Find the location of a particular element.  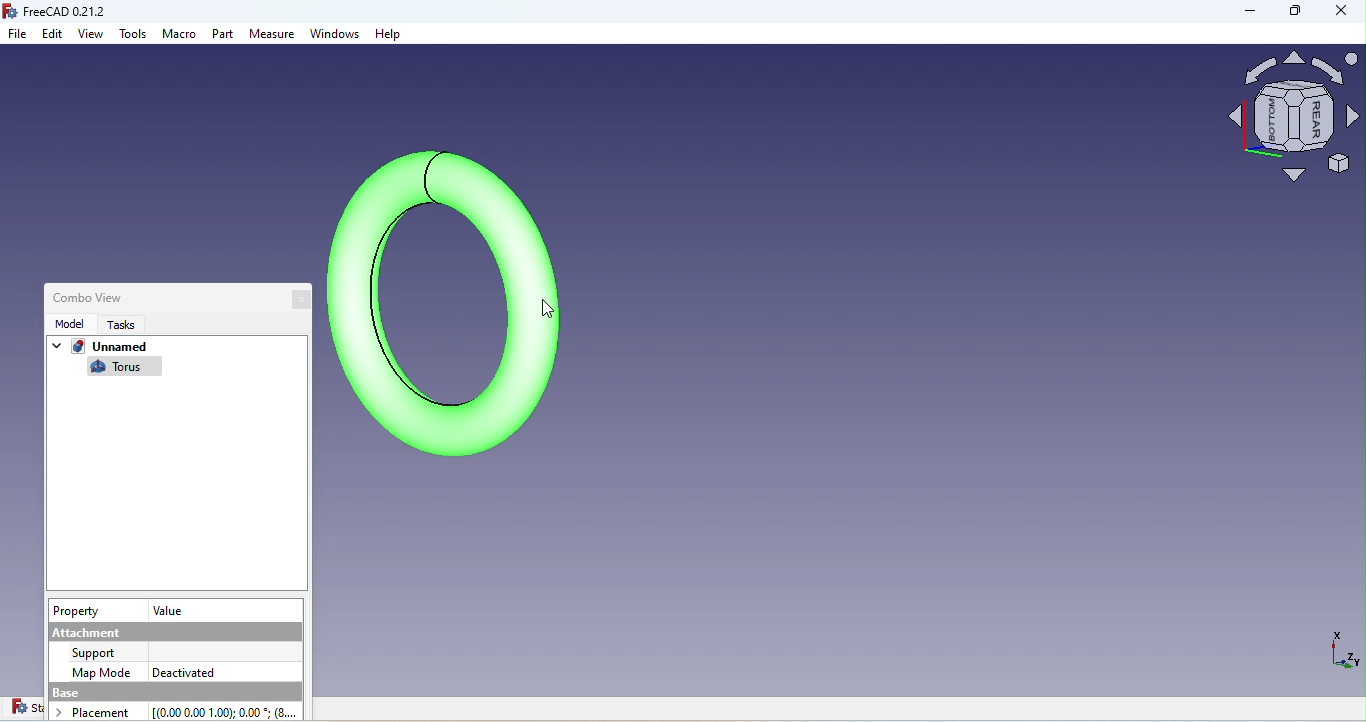

Value is located at coordinates (168, 609).